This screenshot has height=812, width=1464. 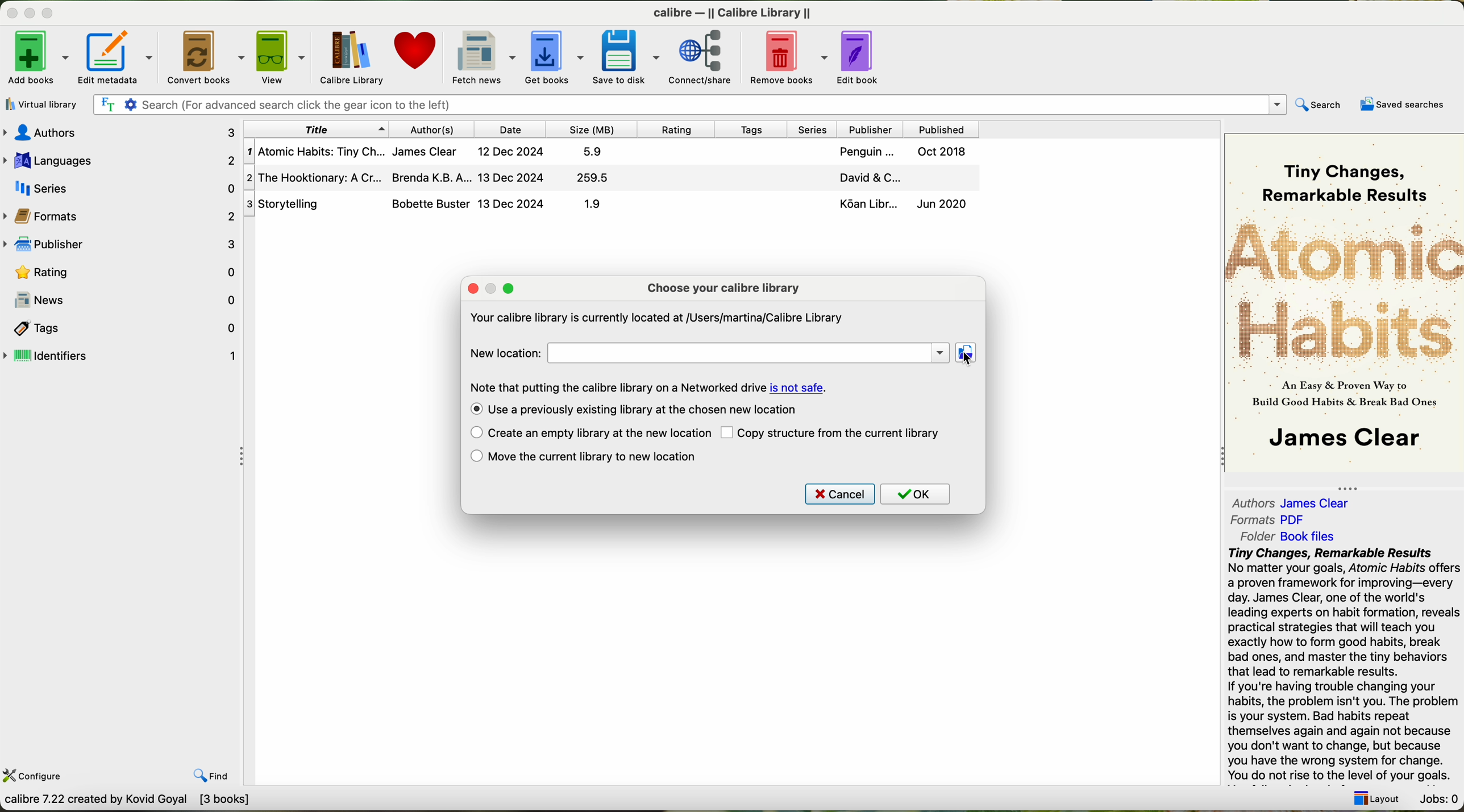 What do you see at coordinates (1320, 503) in the screenshot?
I see `James Clear` at bounding box center [1320, 503].